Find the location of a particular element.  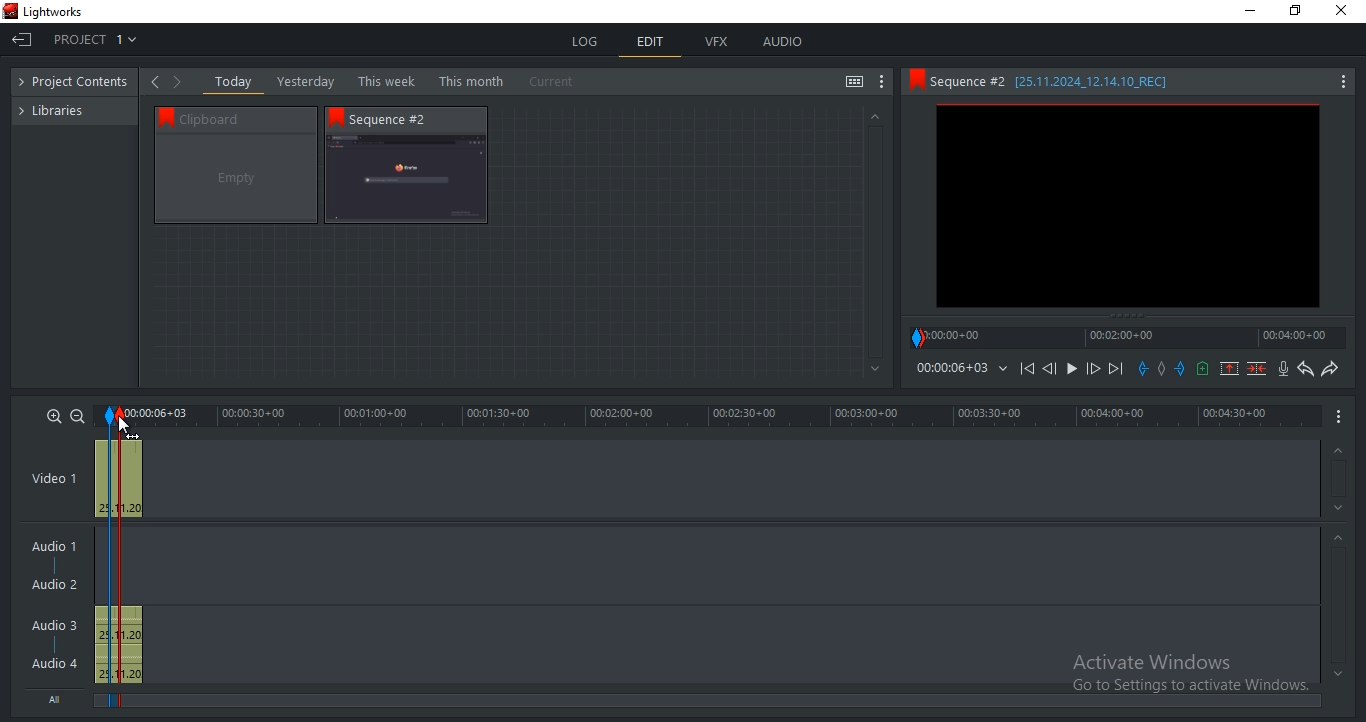

Greyed out down arrow is located at coordinates (1341, 511).